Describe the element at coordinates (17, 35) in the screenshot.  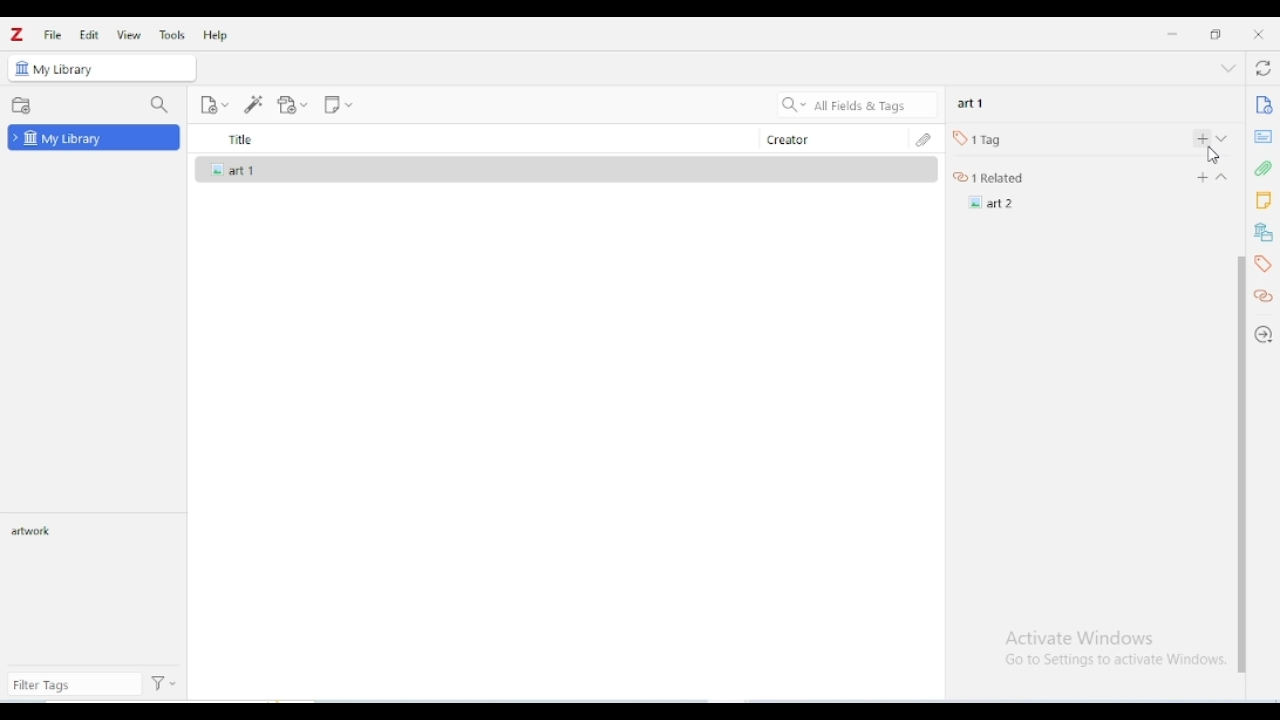
I see `logo` at that location.